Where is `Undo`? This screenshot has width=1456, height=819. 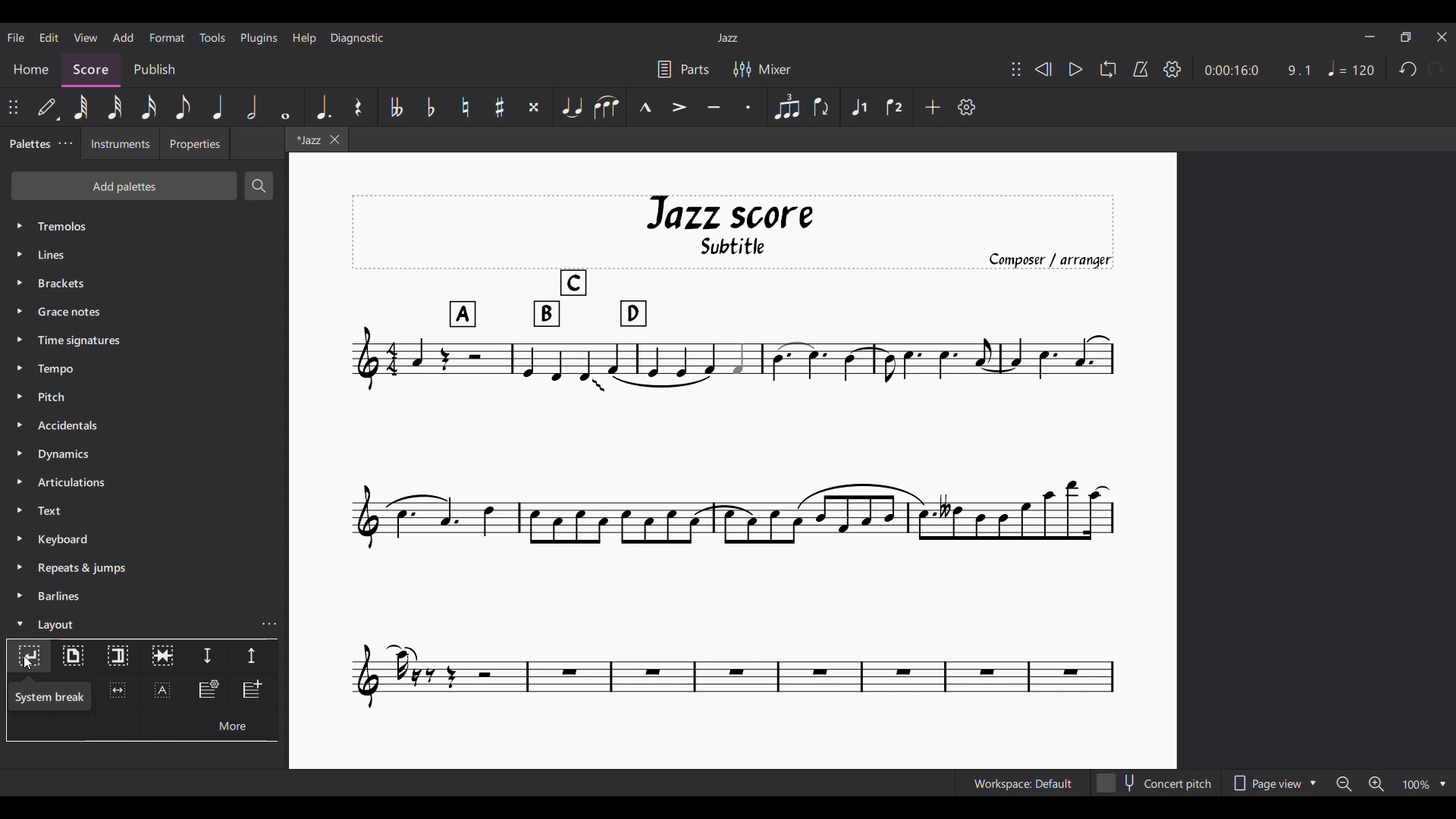 Undo is located at coordinates (1408, 69).